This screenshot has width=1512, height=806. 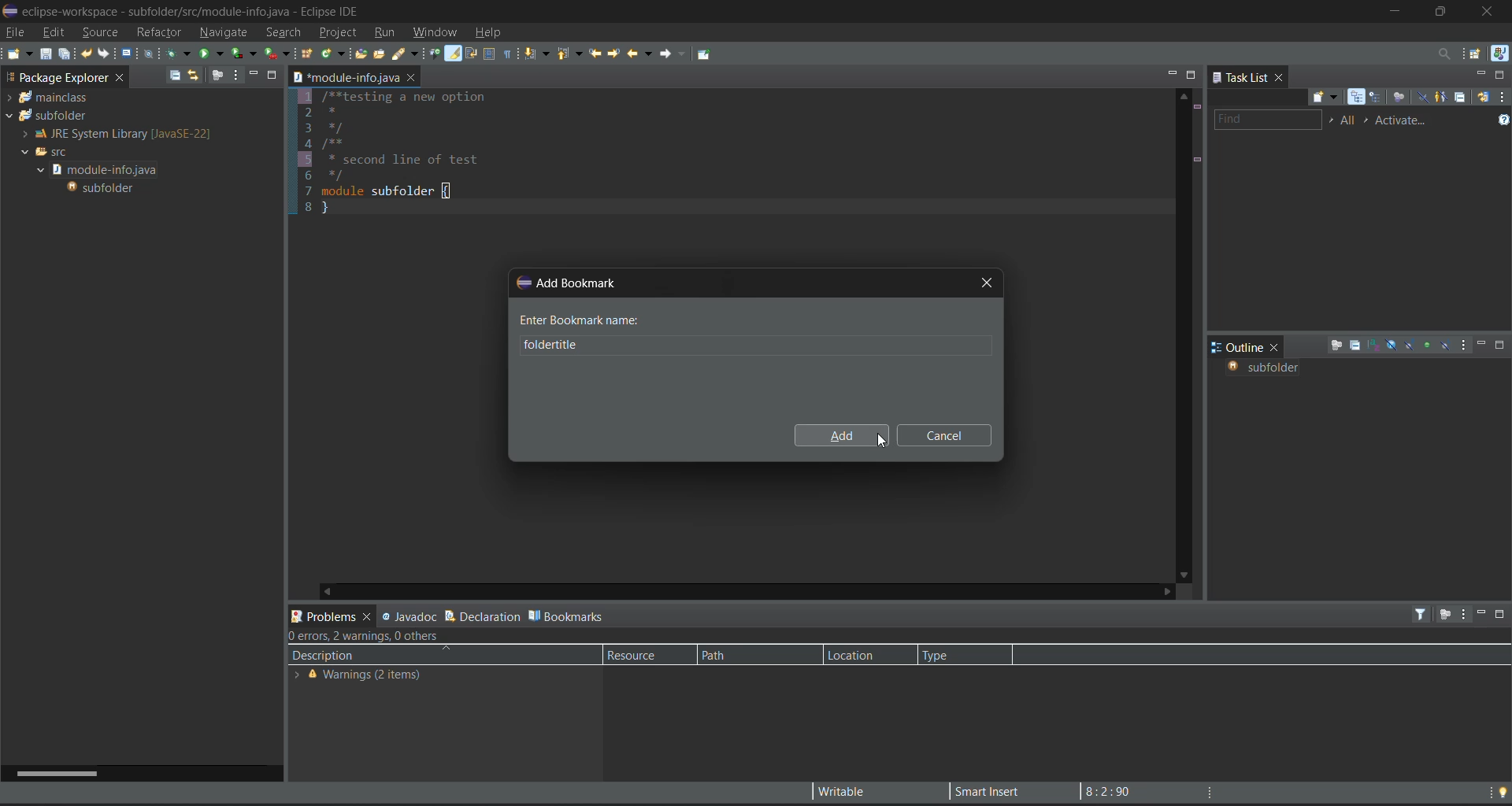 I want to click on new, so click(x=18, y=54).